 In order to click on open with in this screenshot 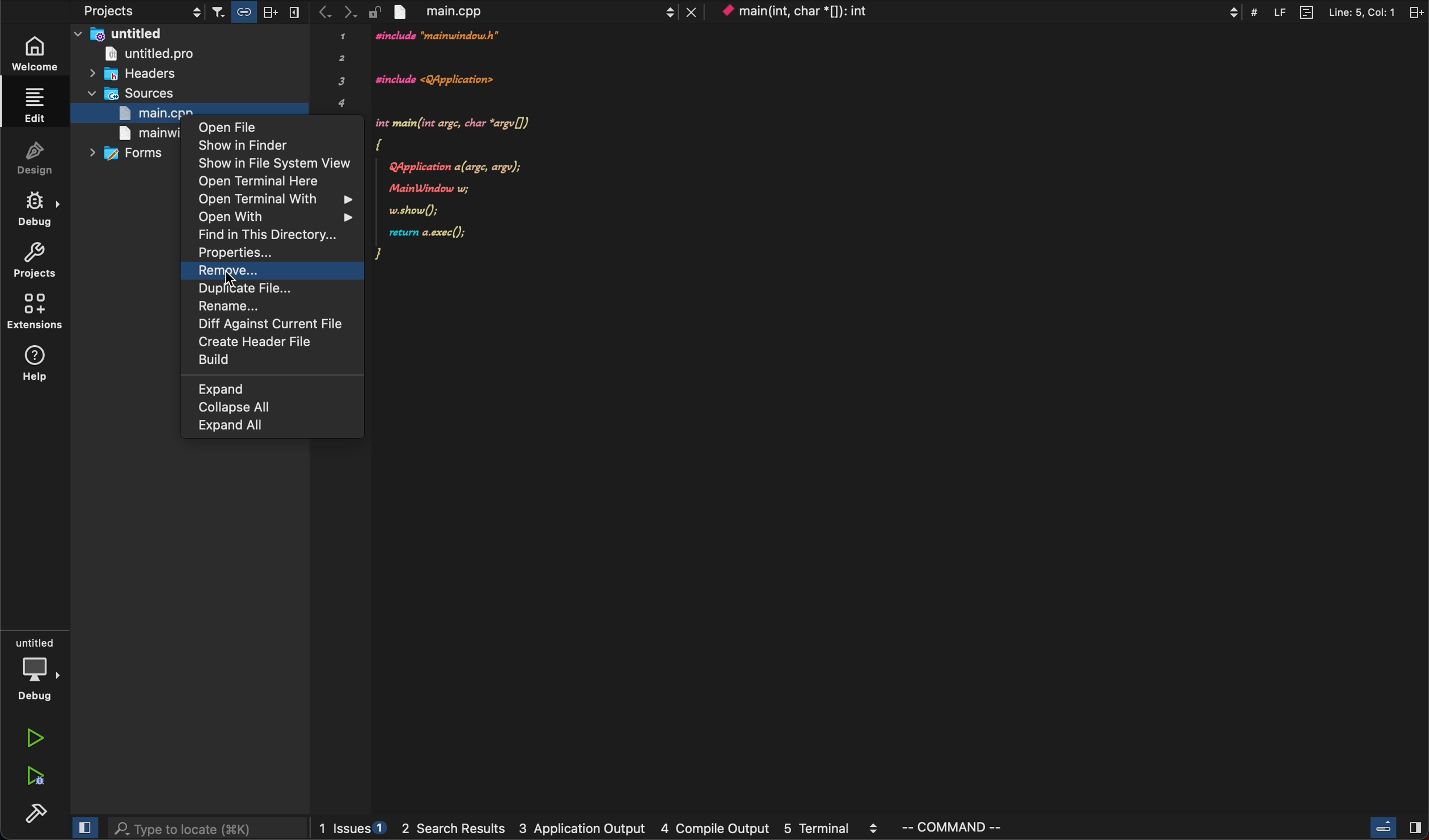, I will do `click(276, 201)`.